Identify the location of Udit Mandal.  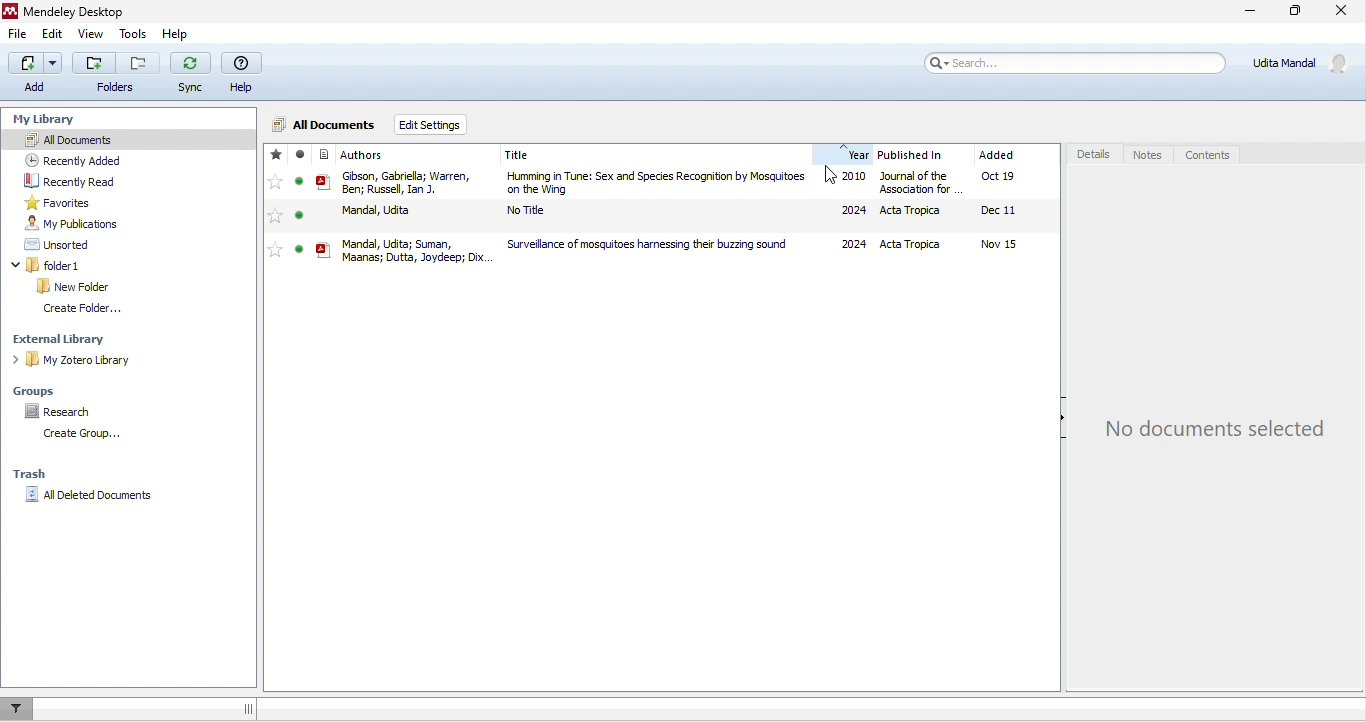
(1303, 62).